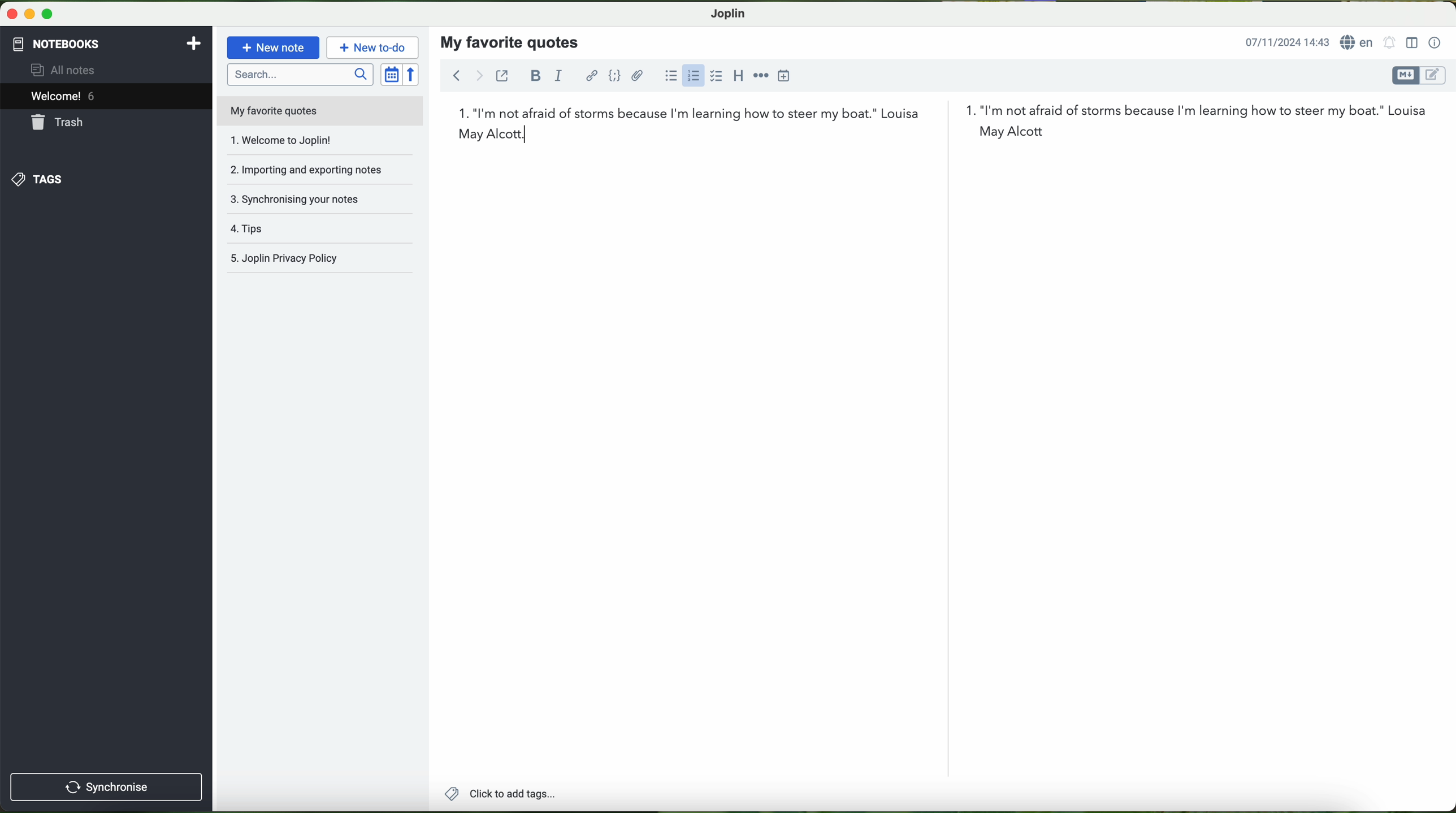  I want to click on toggle editor layout, so click(1411, 43).